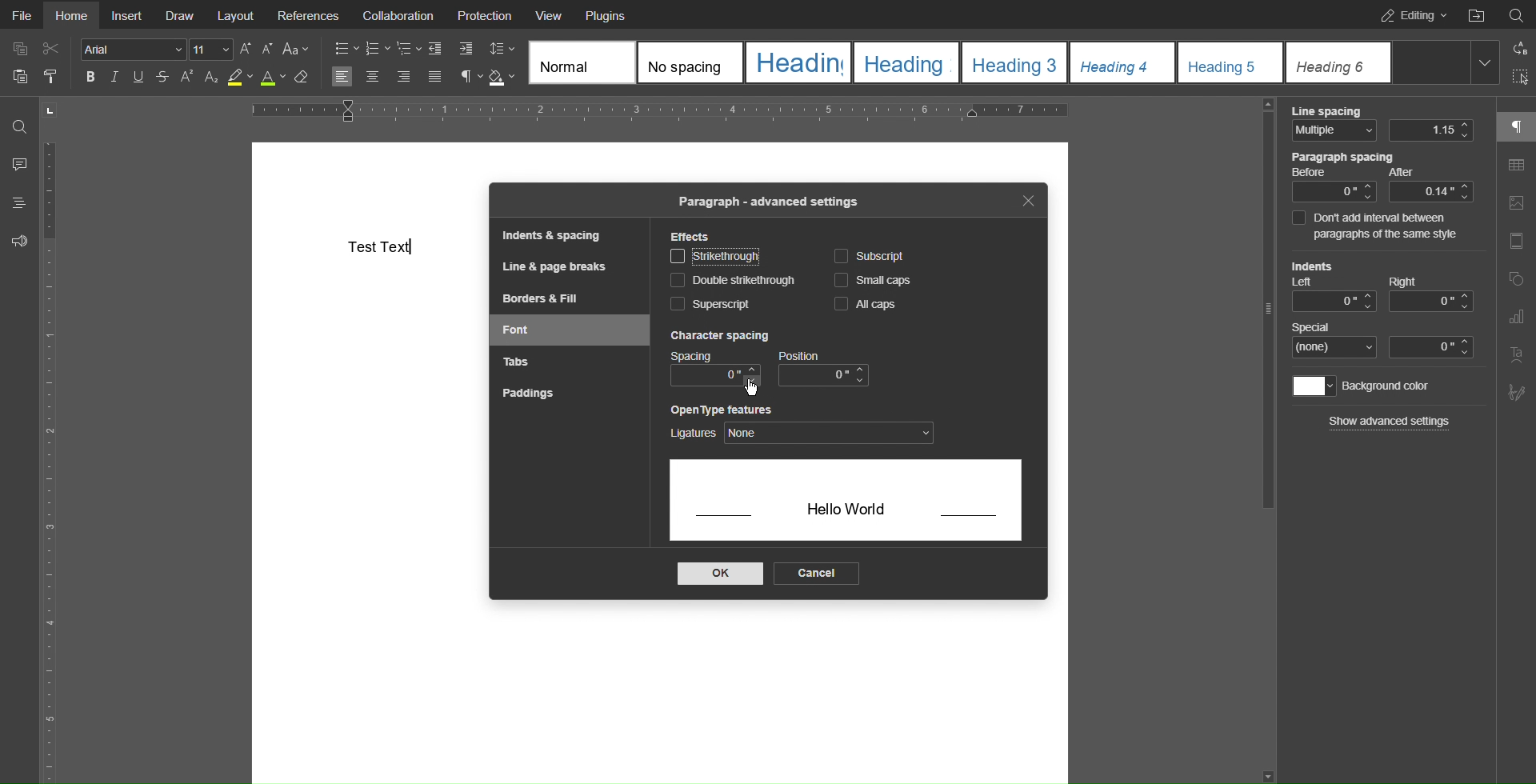 The height and width of the screenshot is (784, 1536). What do you see at coordinates (804, 425) in the screenshot?
I see `OpenType features` at bounding box center [804, 425].